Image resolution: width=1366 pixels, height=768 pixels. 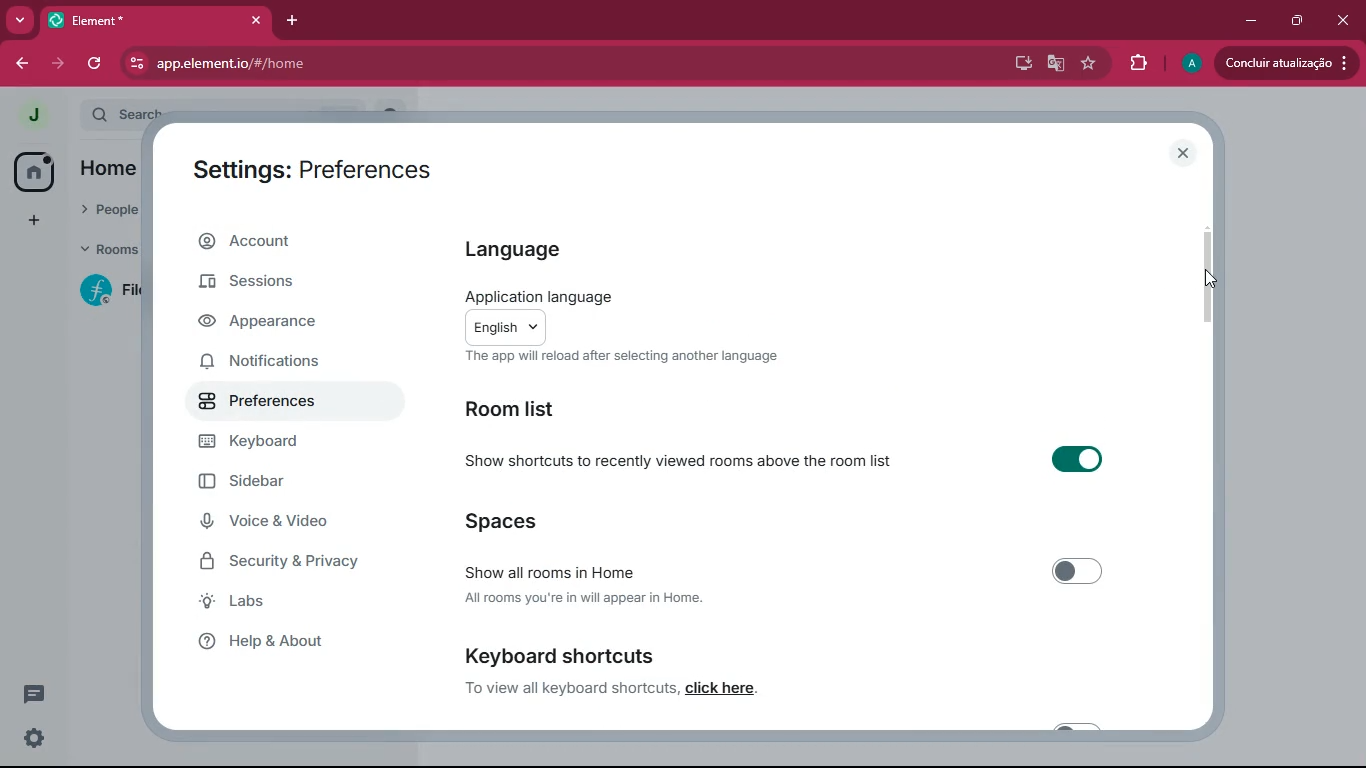 I want to click on maximize, so click(x=1296, y=22).